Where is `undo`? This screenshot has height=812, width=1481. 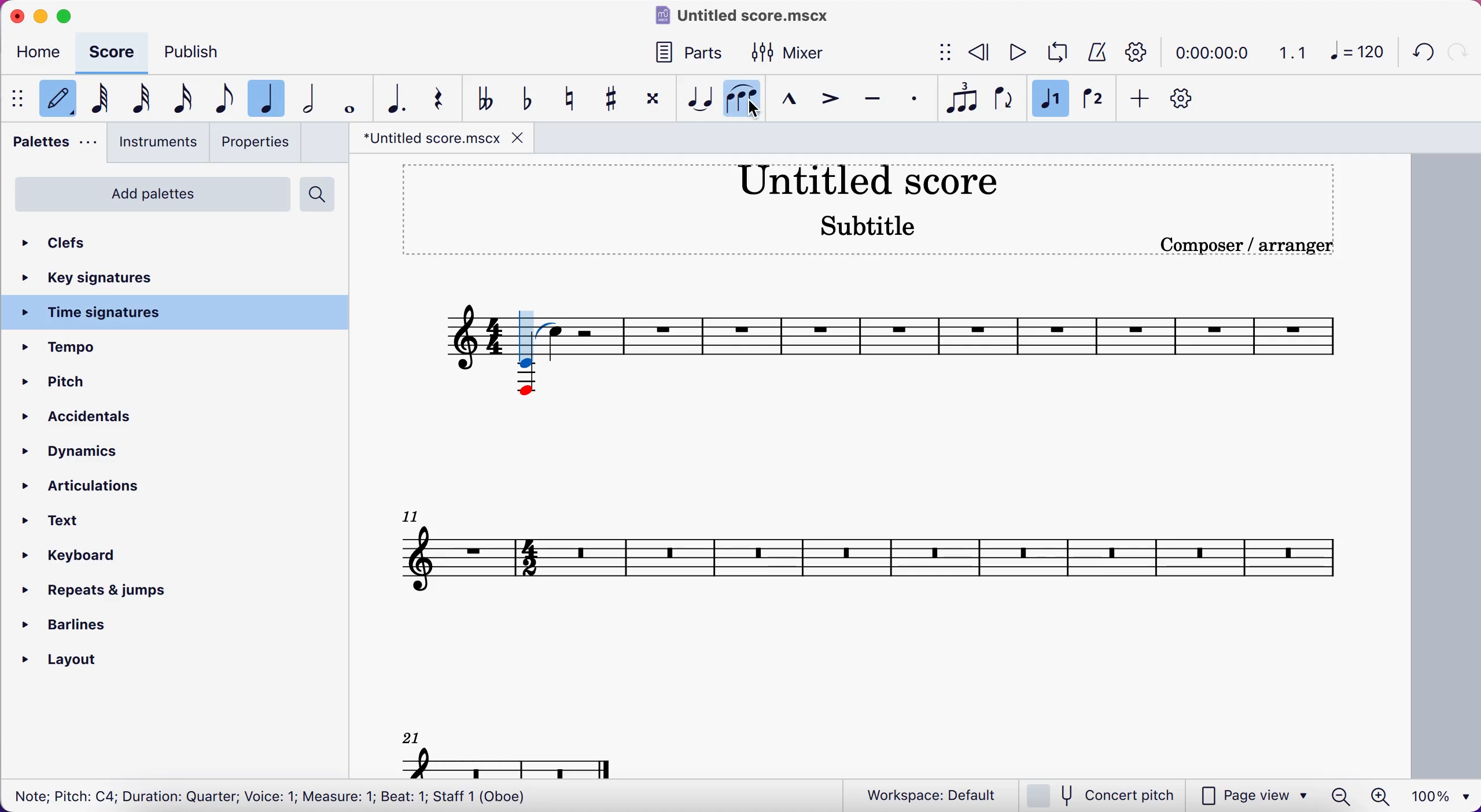 undo is located at coordinates (1417, 55).